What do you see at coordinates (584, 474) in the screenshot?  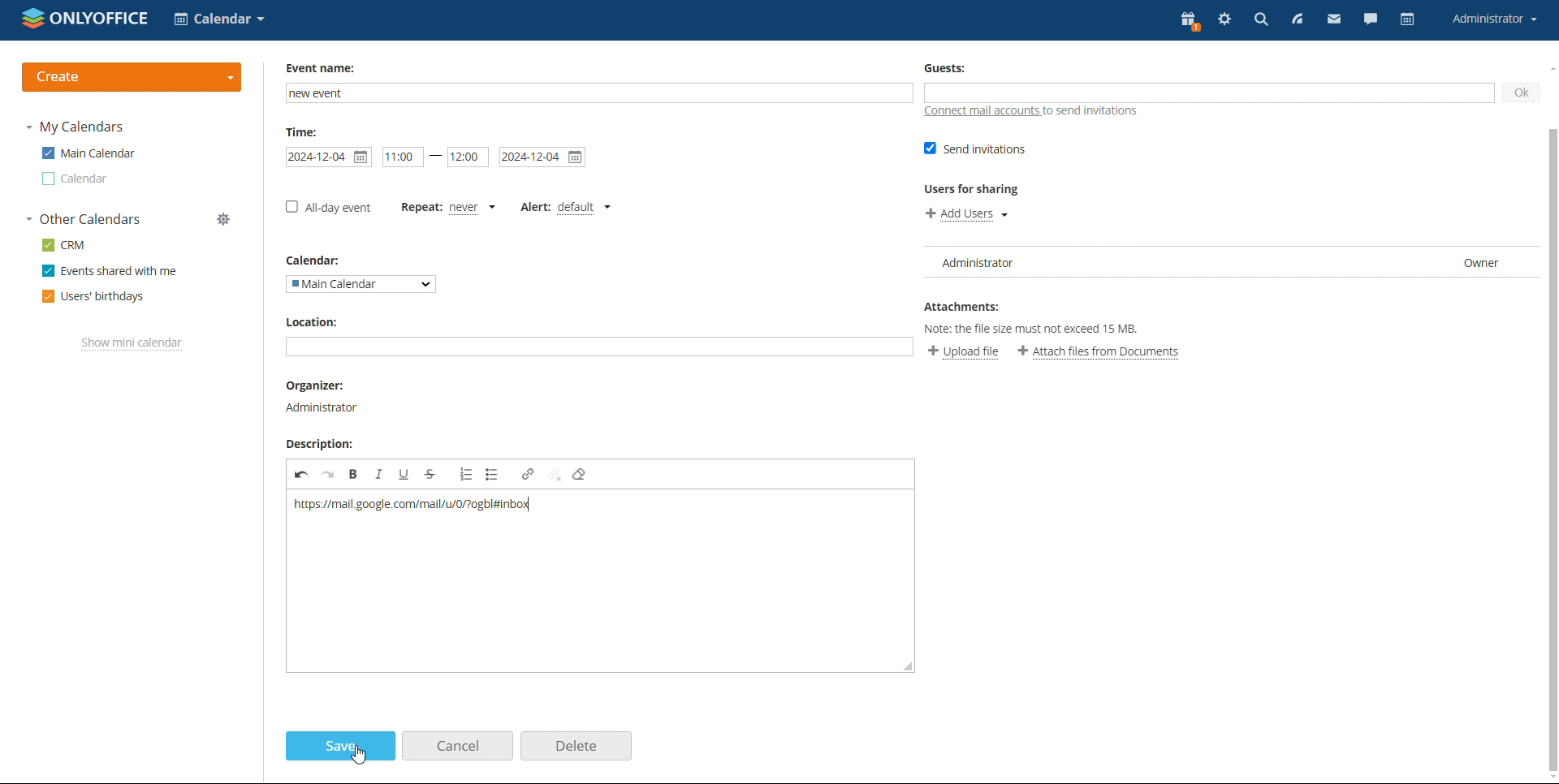 I see `` at bounding box center [584, 474].